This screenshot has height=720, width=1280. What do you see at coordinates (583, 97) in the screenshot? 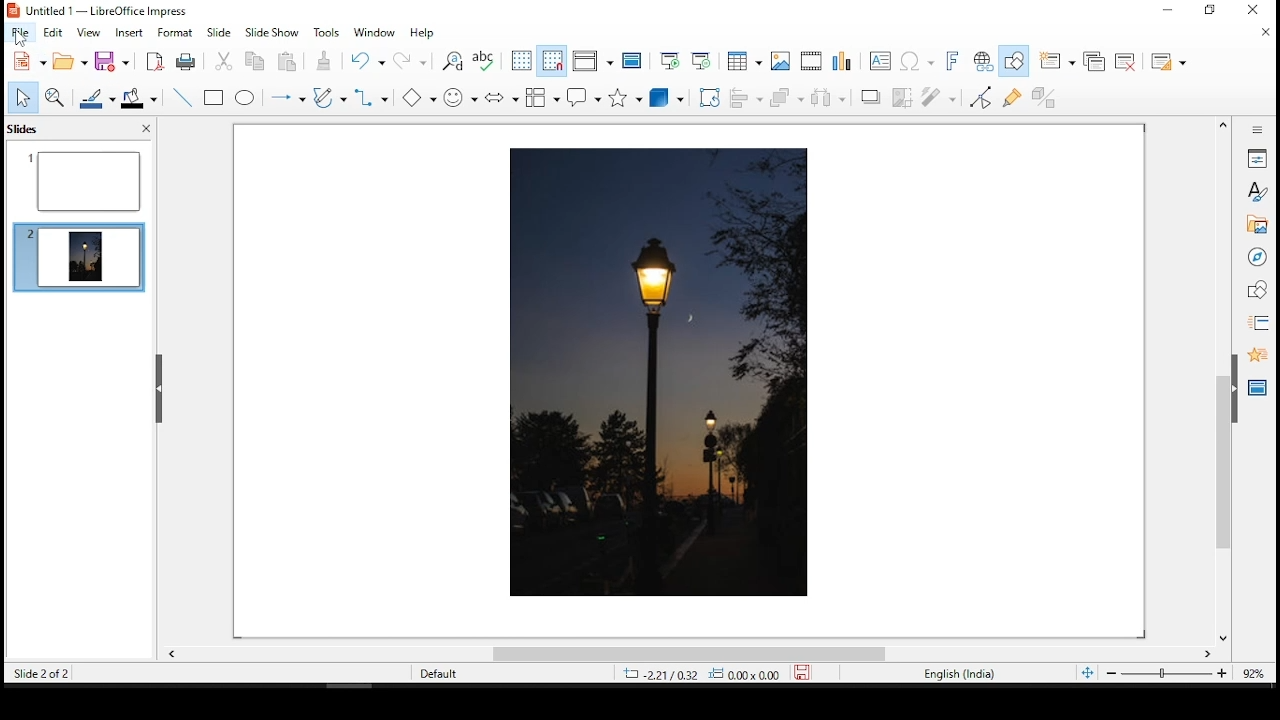
I see `callout shapes` at bounding box center [583, 97].